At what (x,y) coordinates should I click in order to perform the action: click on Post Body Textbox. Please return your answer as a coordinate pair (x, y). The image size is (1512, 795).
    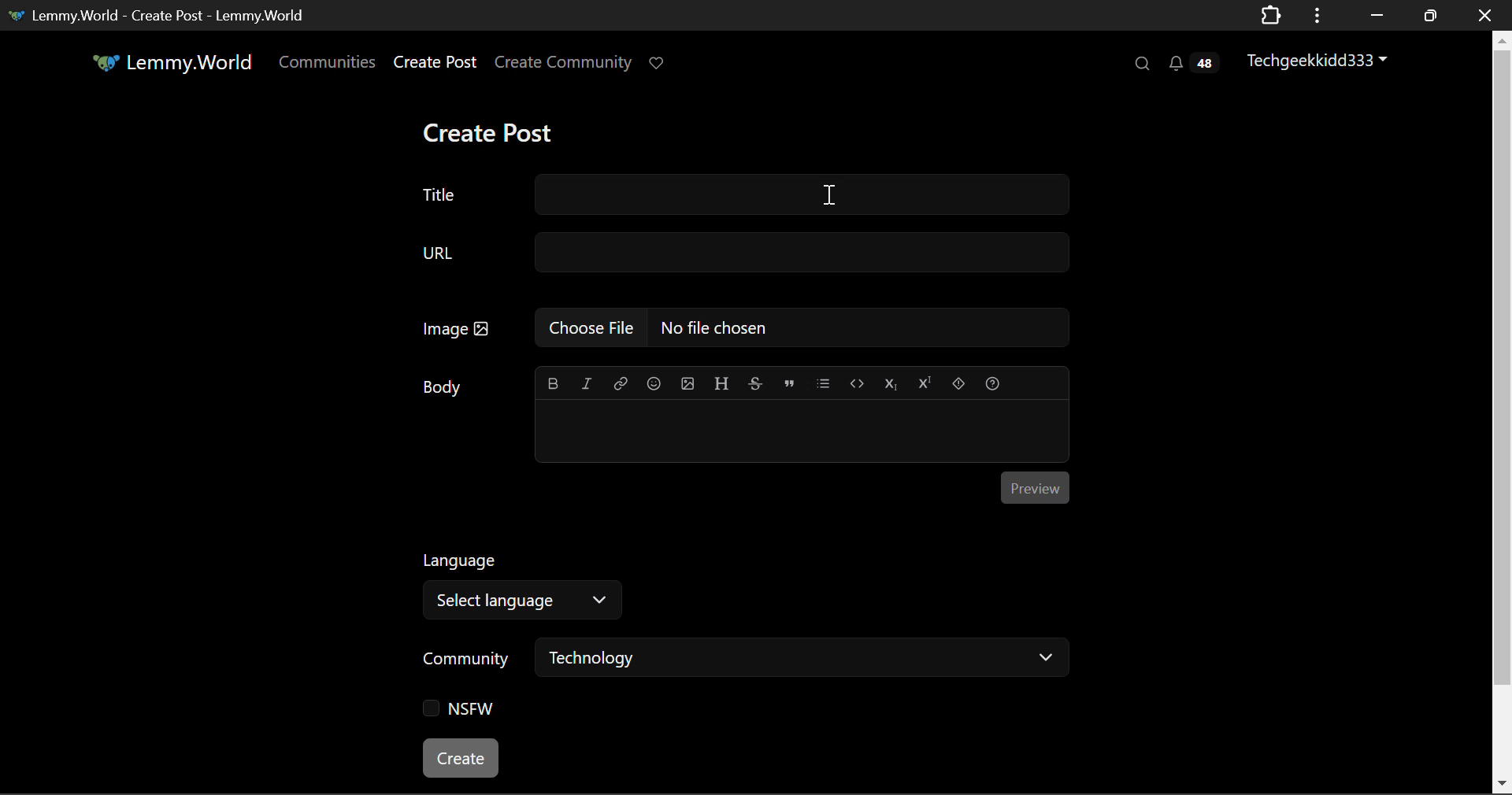
    Looking at the image, I should click on (795, 429).